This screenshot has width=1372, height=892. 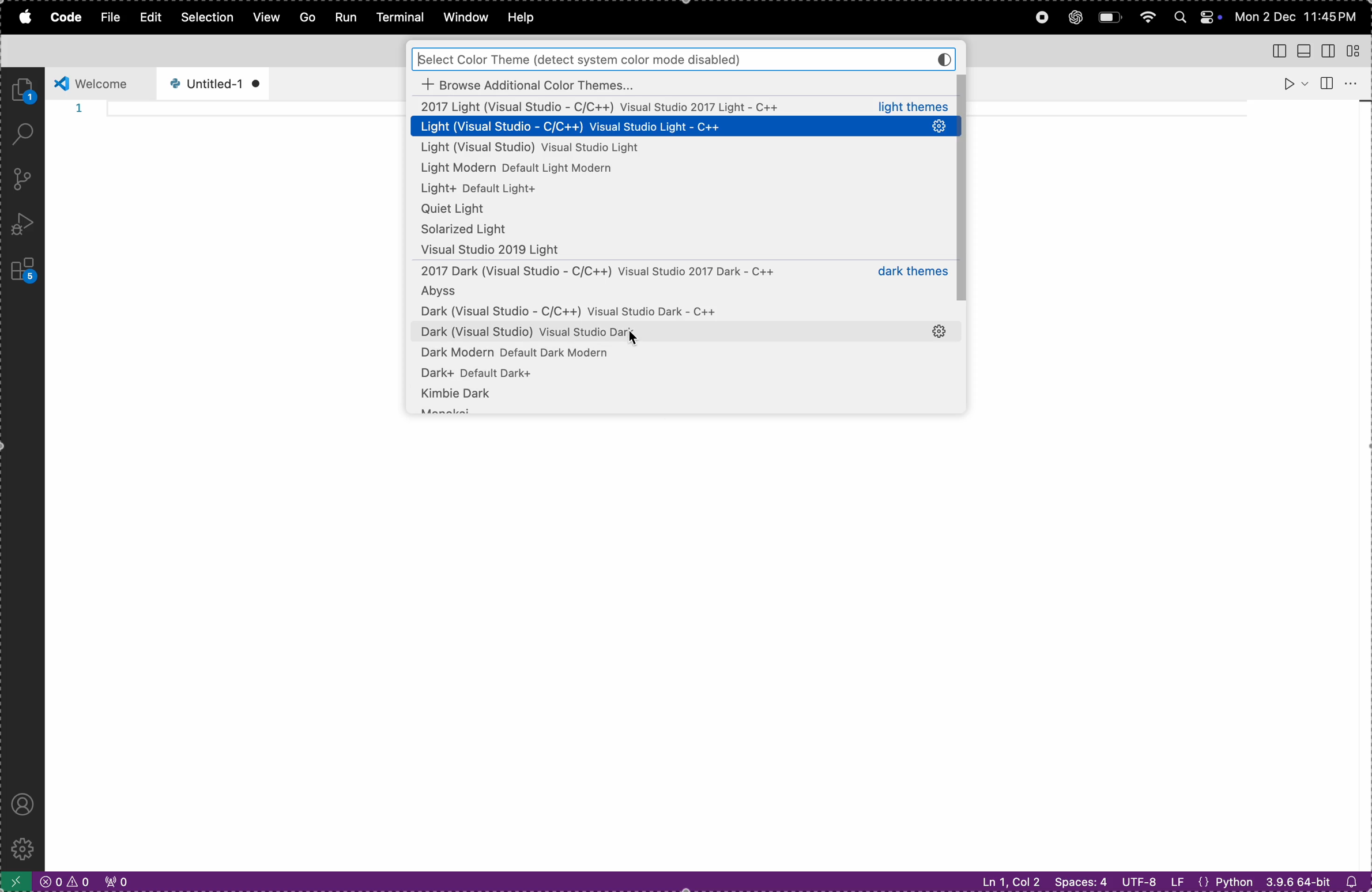 I want to click on help, so click(x=529, y=17).